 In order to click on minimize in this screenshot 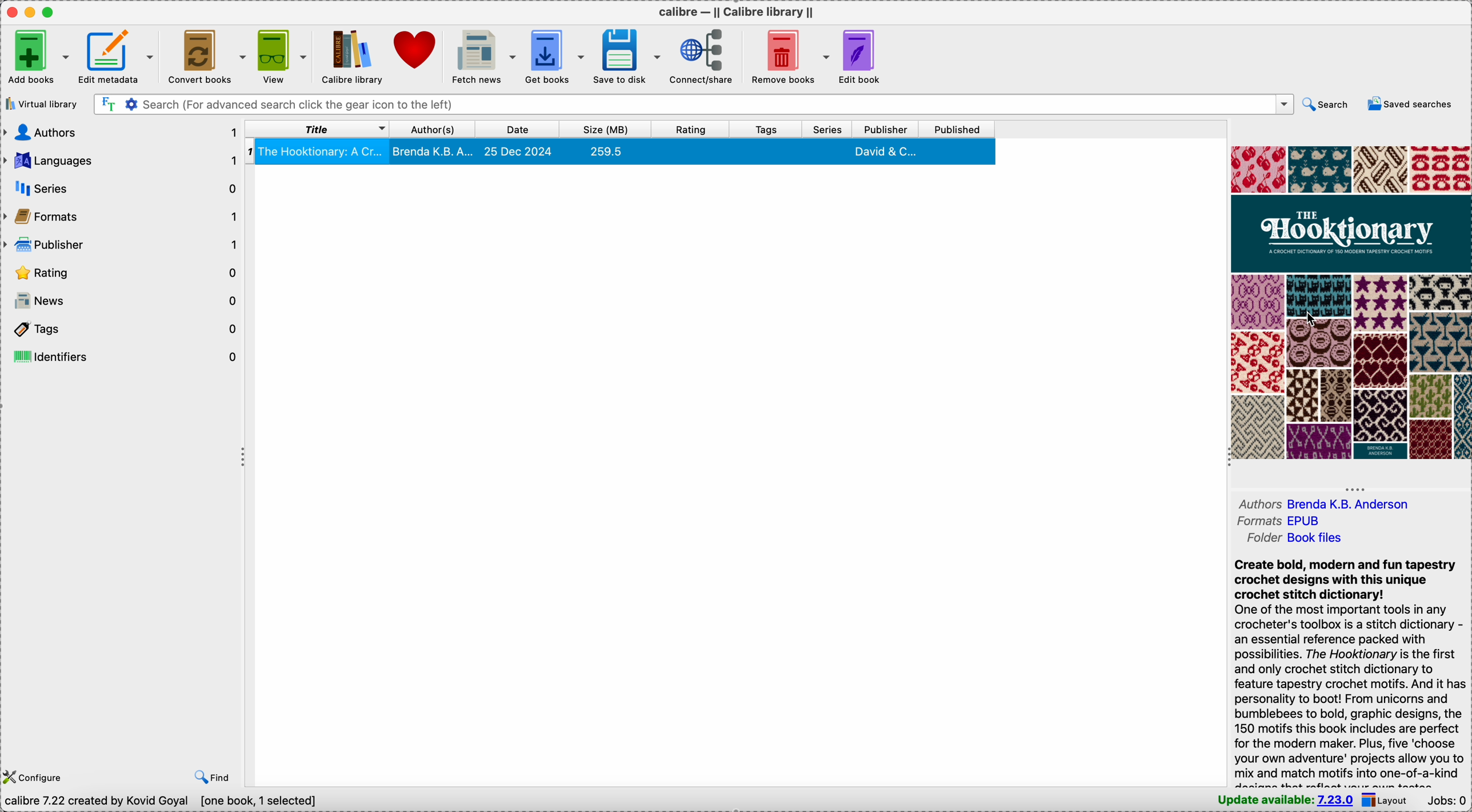, I will do `click(33, 12)`.